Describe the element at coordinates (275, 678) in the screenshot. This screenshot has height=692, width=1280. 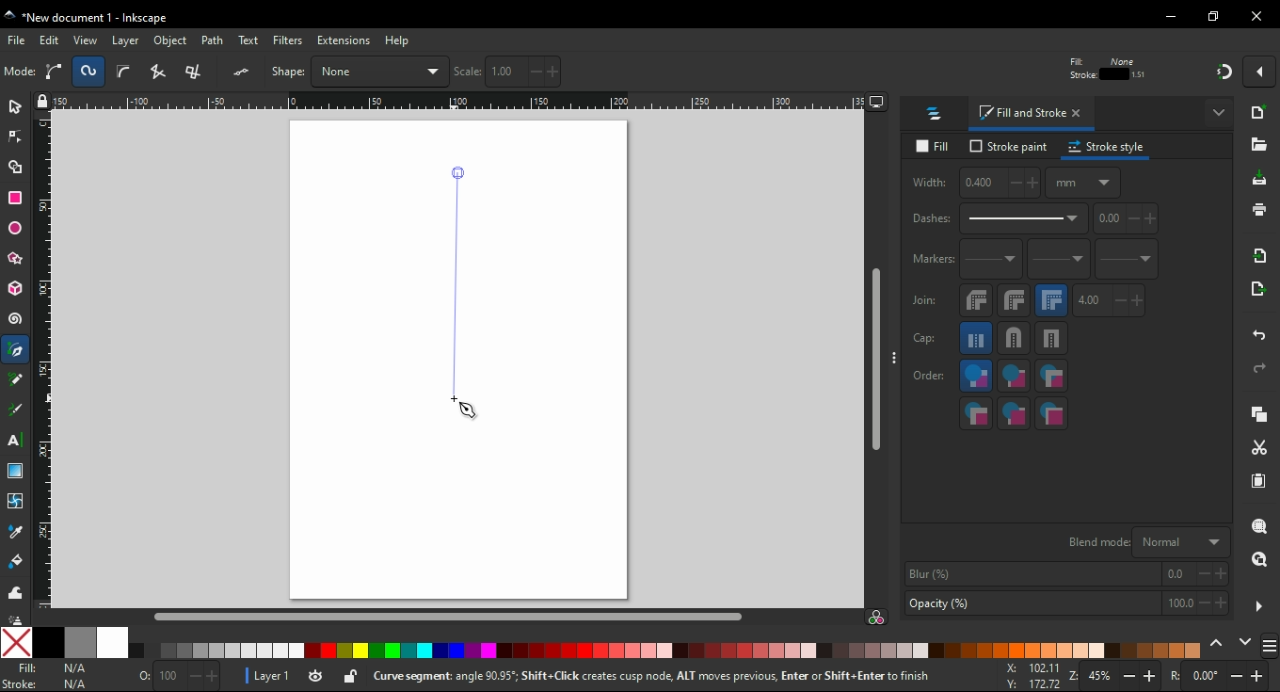
I see `Layer 1` at that location.